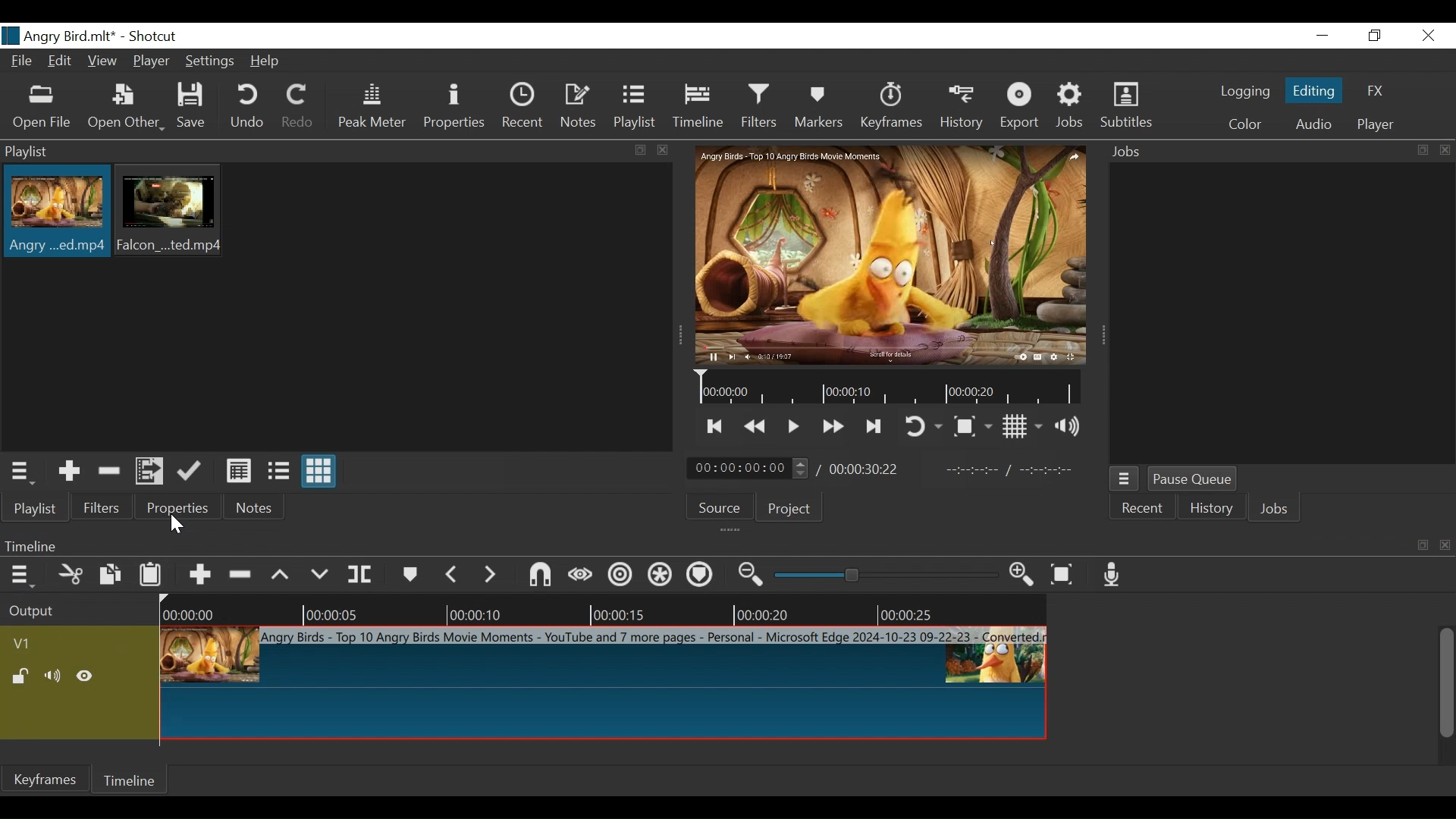 This screenshot has height=819, width=1456. I want to click on Show volume control, so click(1071, 425).